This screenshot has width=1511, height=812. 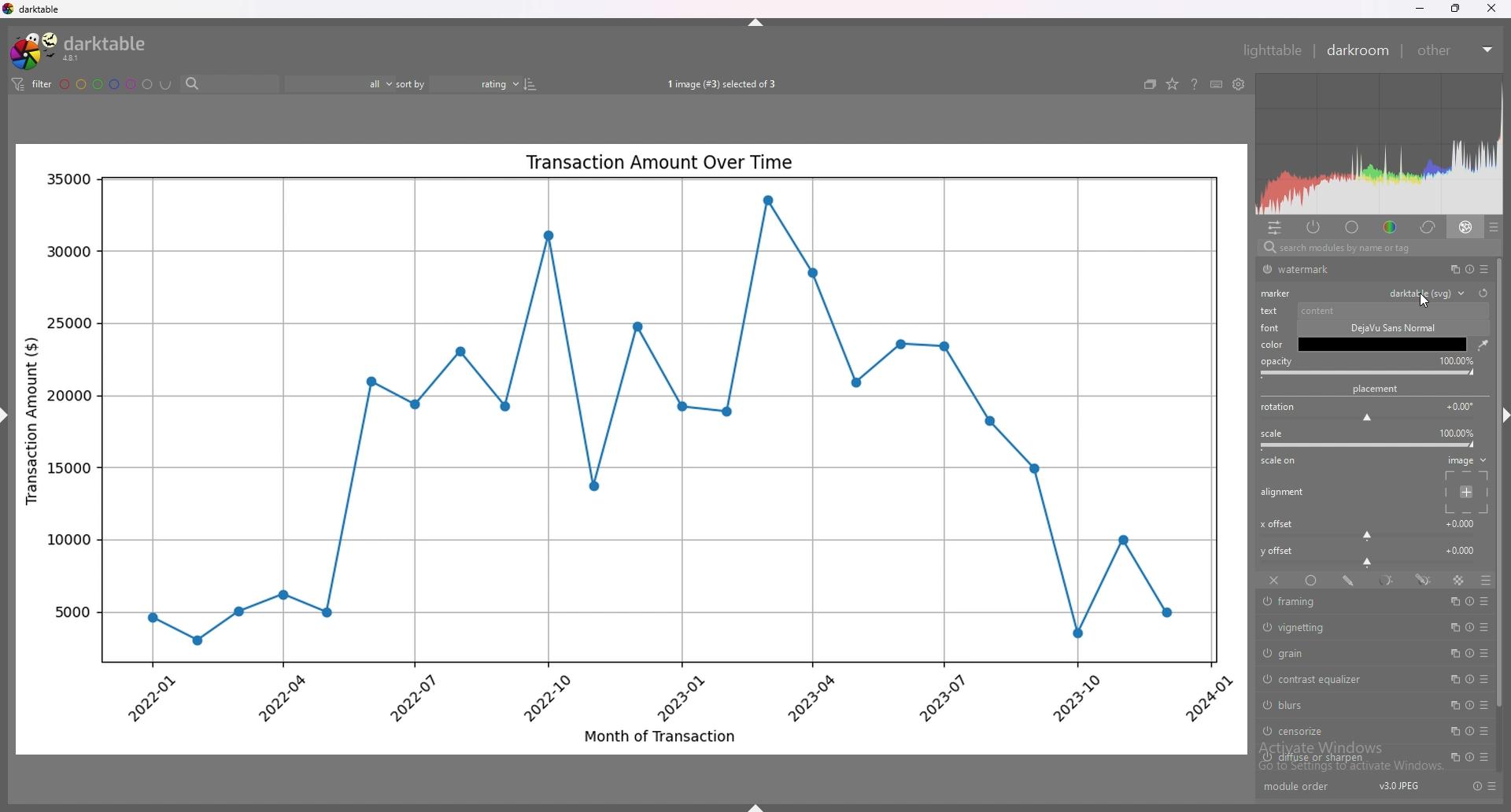 What do you see at coordinates (1280, 463) in the screenshot?
I see `scale on` at bounding box center [1280, 463].